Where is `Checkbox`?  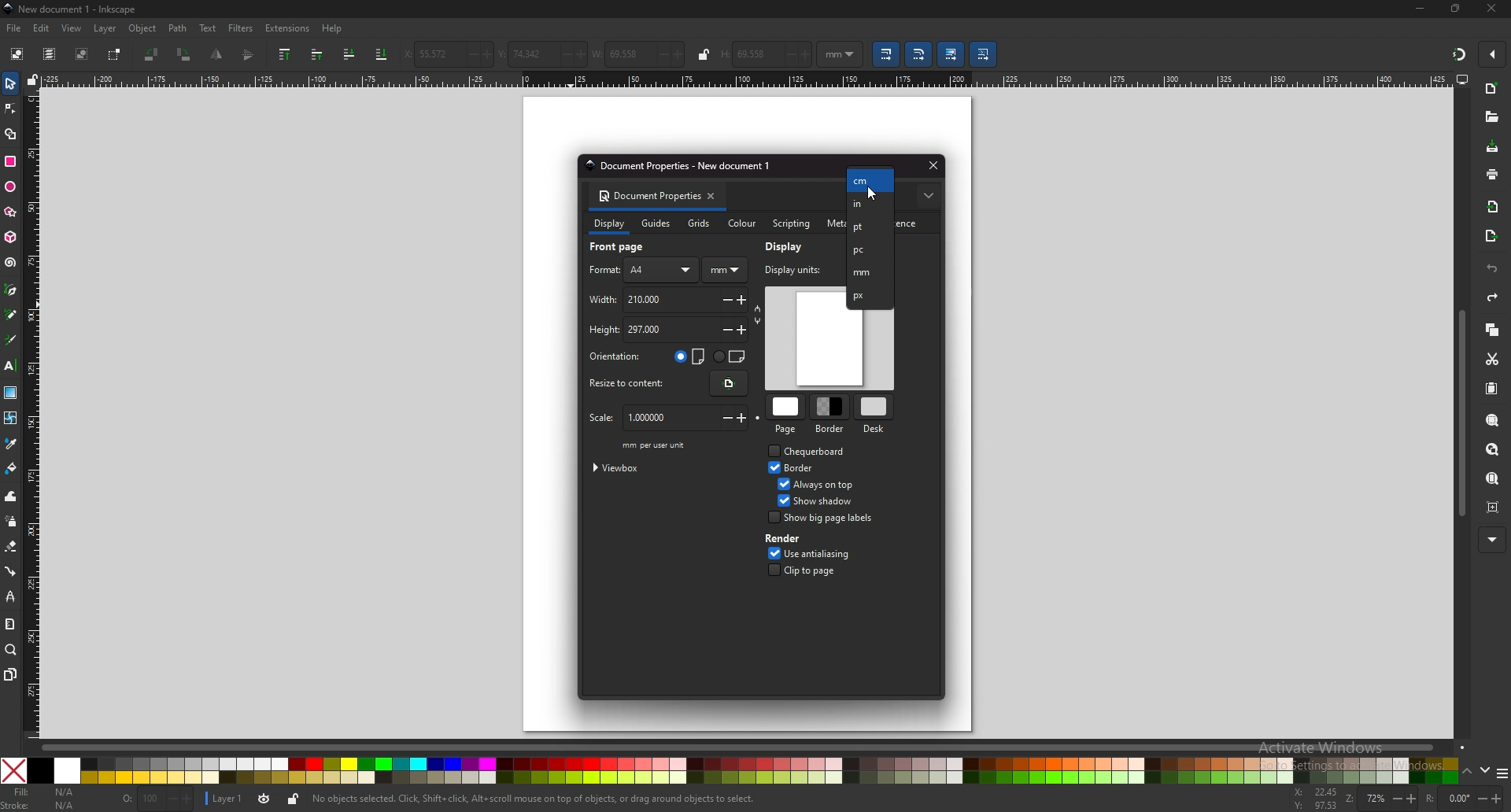 Checkbox is located at coordinates (779, 482).